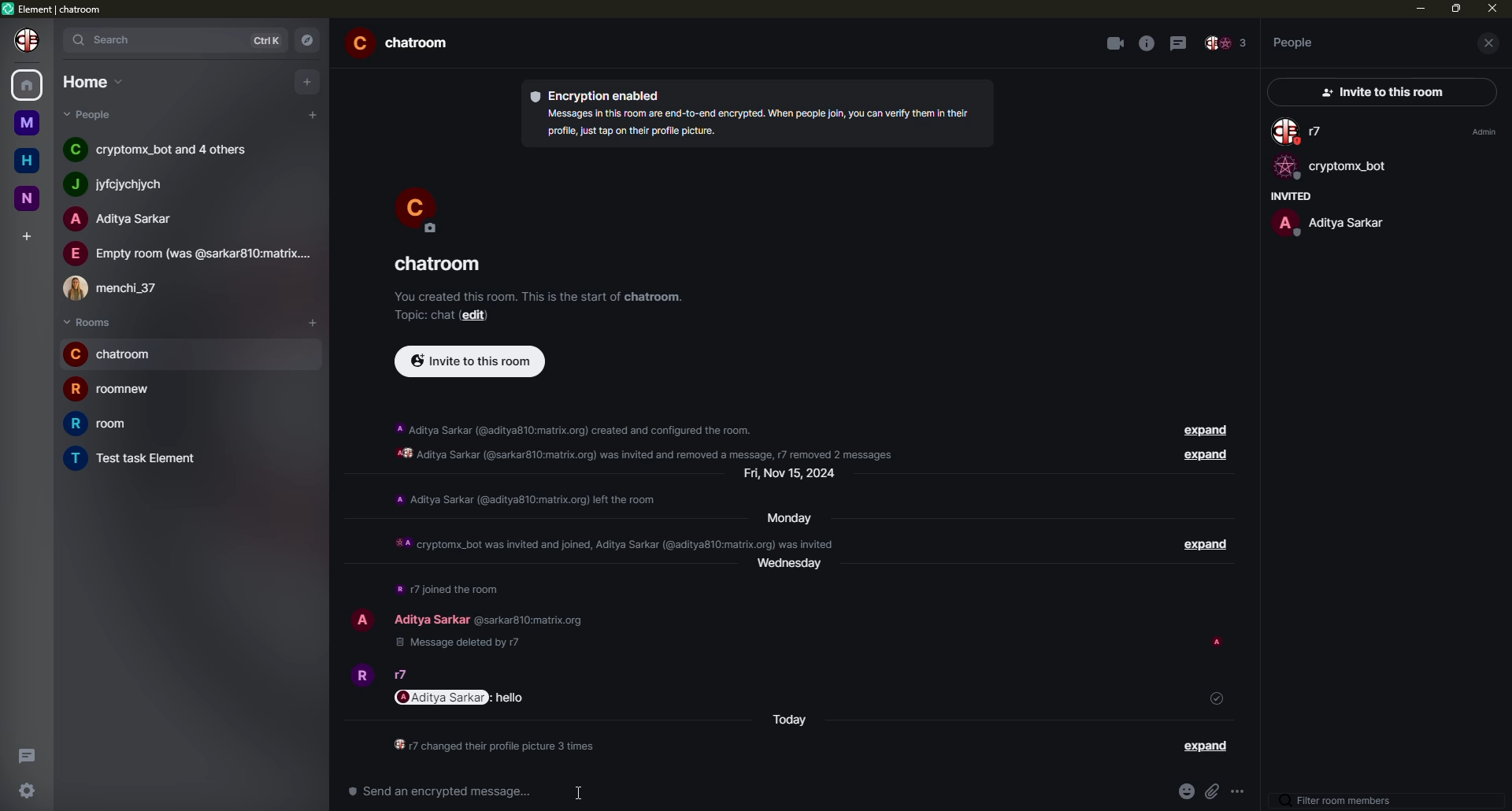 This screenshot has width=1512, height=811. Describe the element at coordinates (1377, 93) in the screenshot. I see `invite` at that location.